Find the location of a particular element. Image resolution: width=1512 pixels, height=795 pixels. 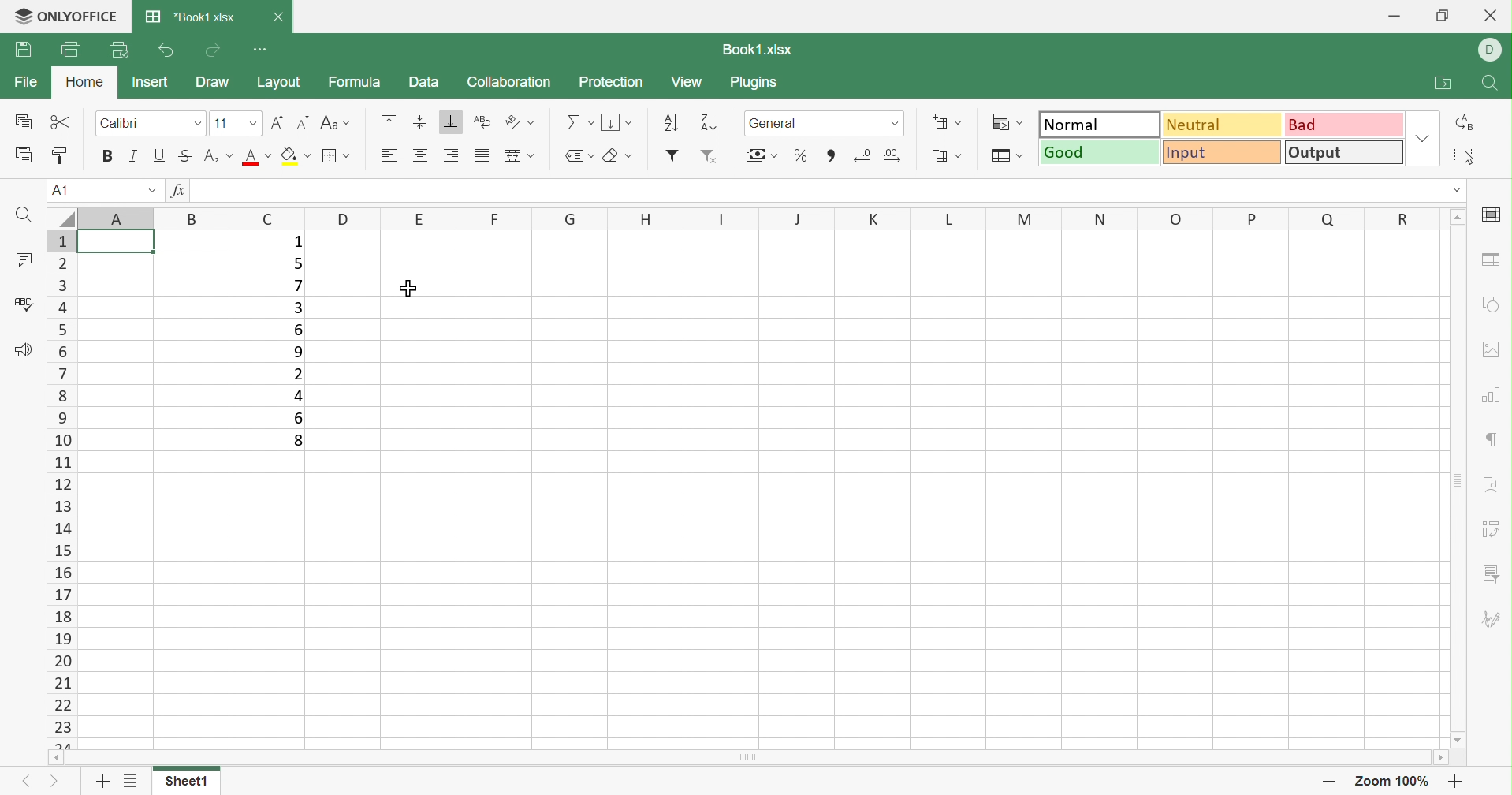

Summation is located at coordinates (579, 121).